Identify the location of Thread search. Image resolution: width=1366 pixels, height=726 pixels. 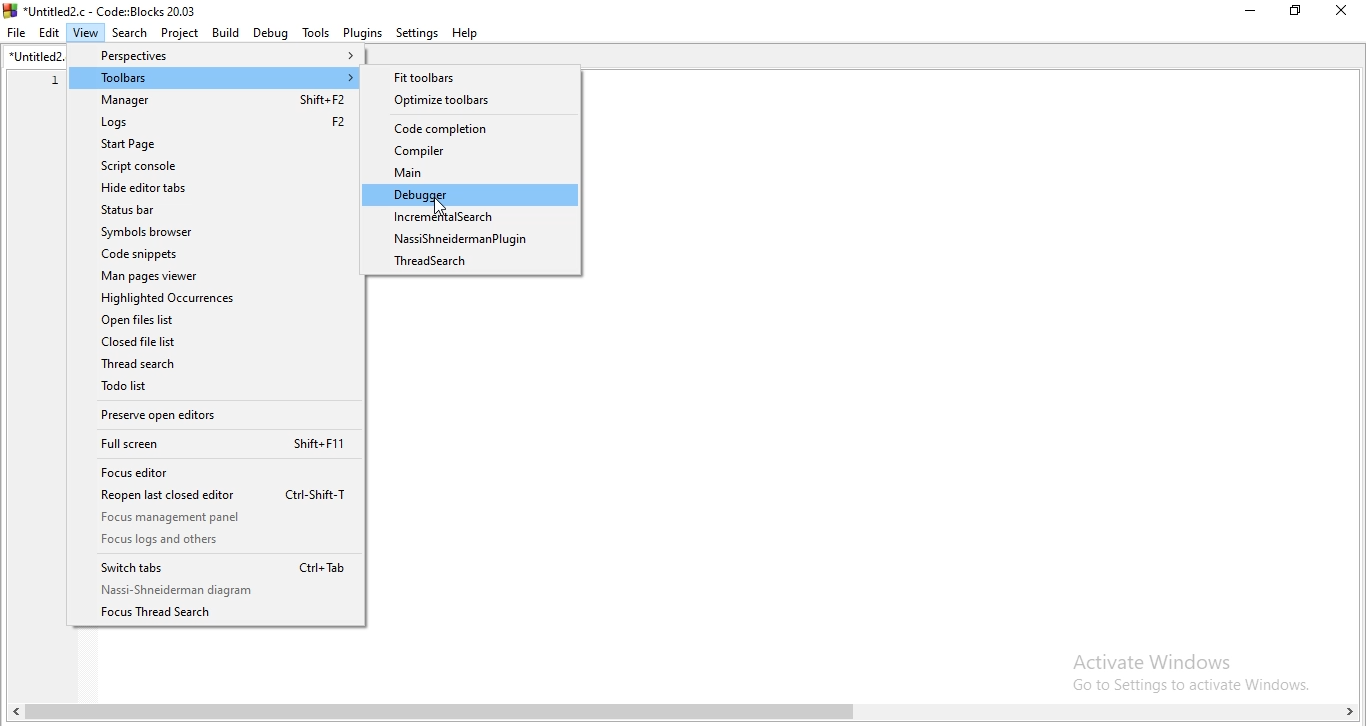
(215, 365).